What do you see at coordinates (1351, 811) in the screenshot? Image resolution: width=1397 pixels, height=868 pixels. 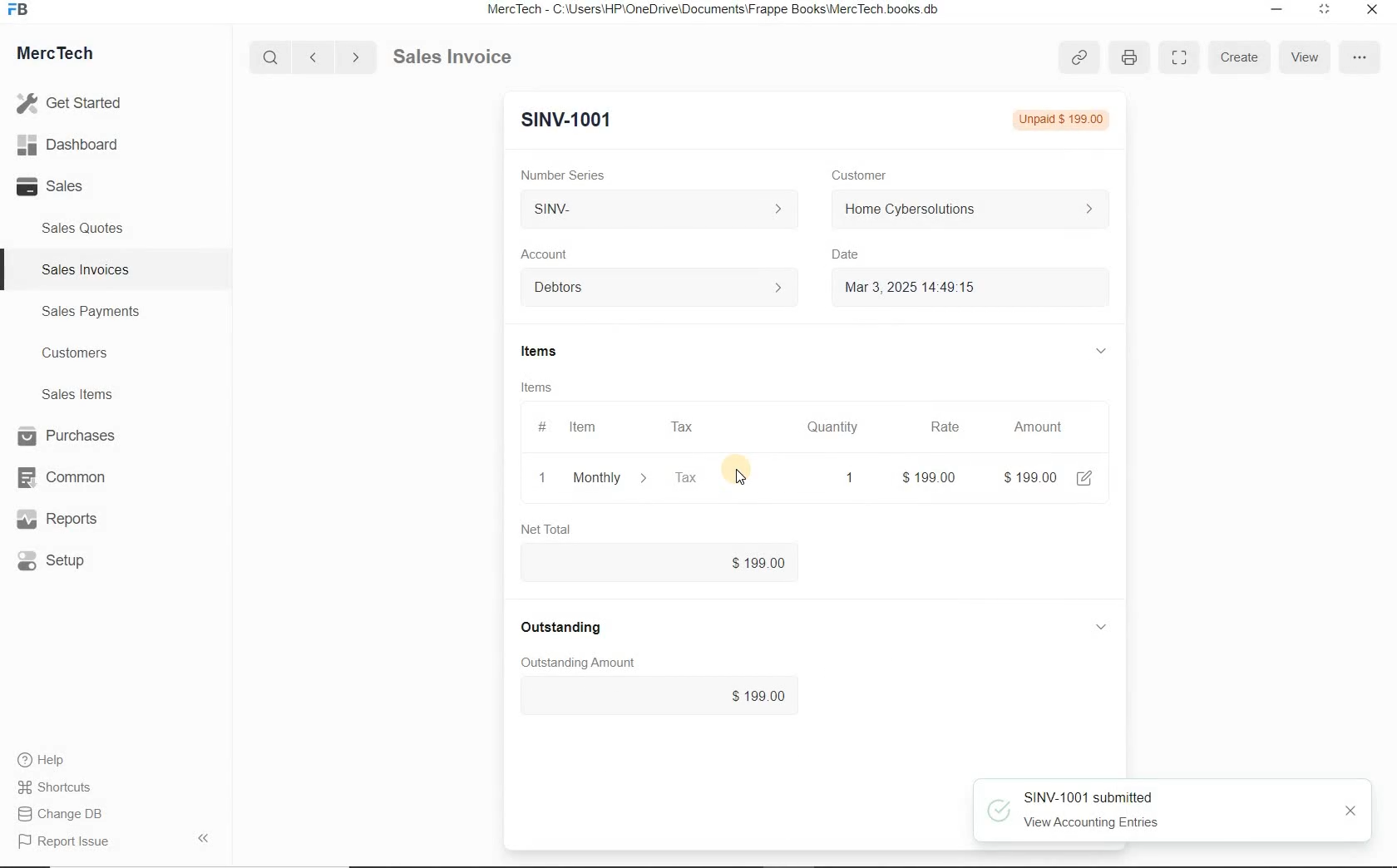 I see `close` at bounding box center [1351, 811].